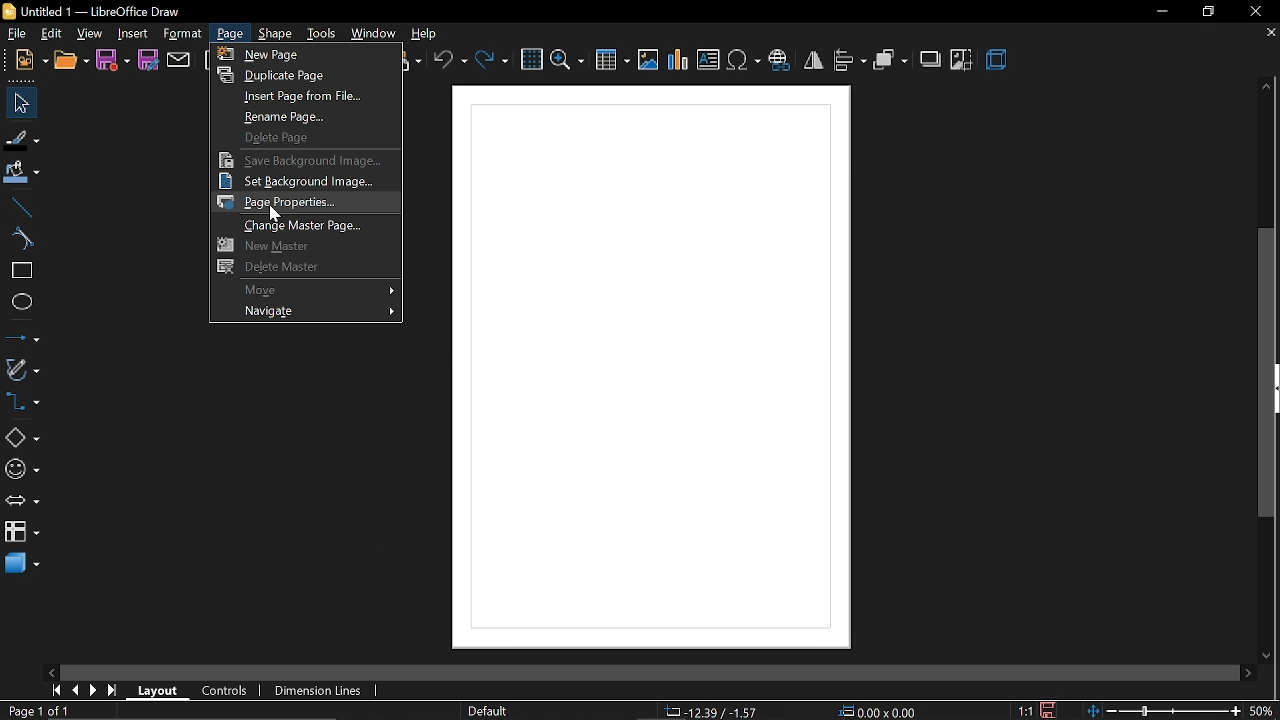  Describe the element at coordinates (611, 61) in the screenshot. I see `insert table` at that location.